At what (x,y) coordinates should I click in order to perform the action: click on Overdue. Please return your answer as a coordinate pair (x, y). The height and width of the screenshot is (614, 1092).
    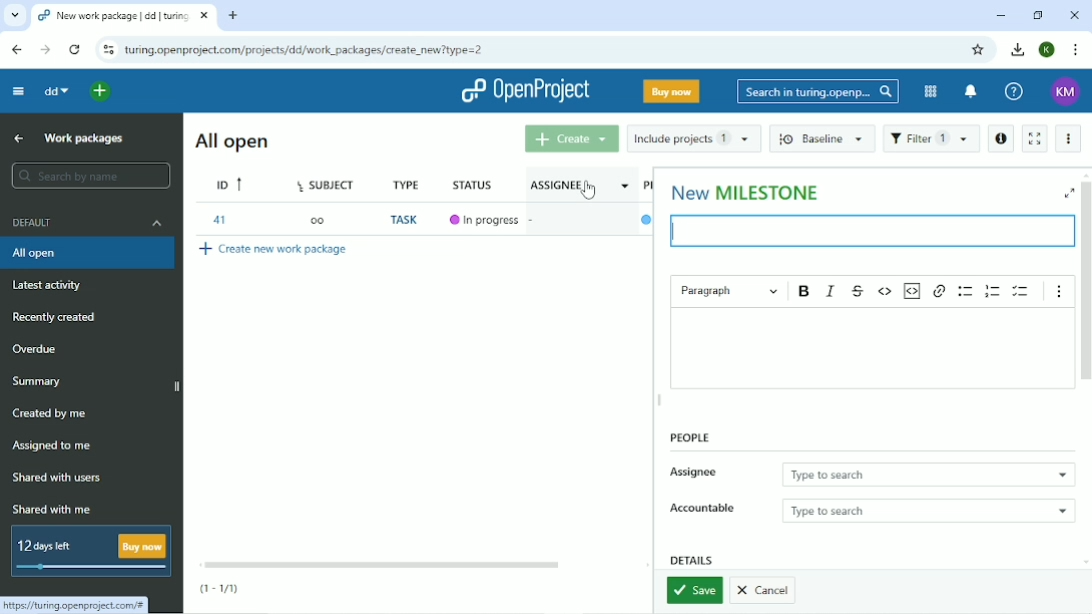
    Looking at the image, I should click on (37, 350).